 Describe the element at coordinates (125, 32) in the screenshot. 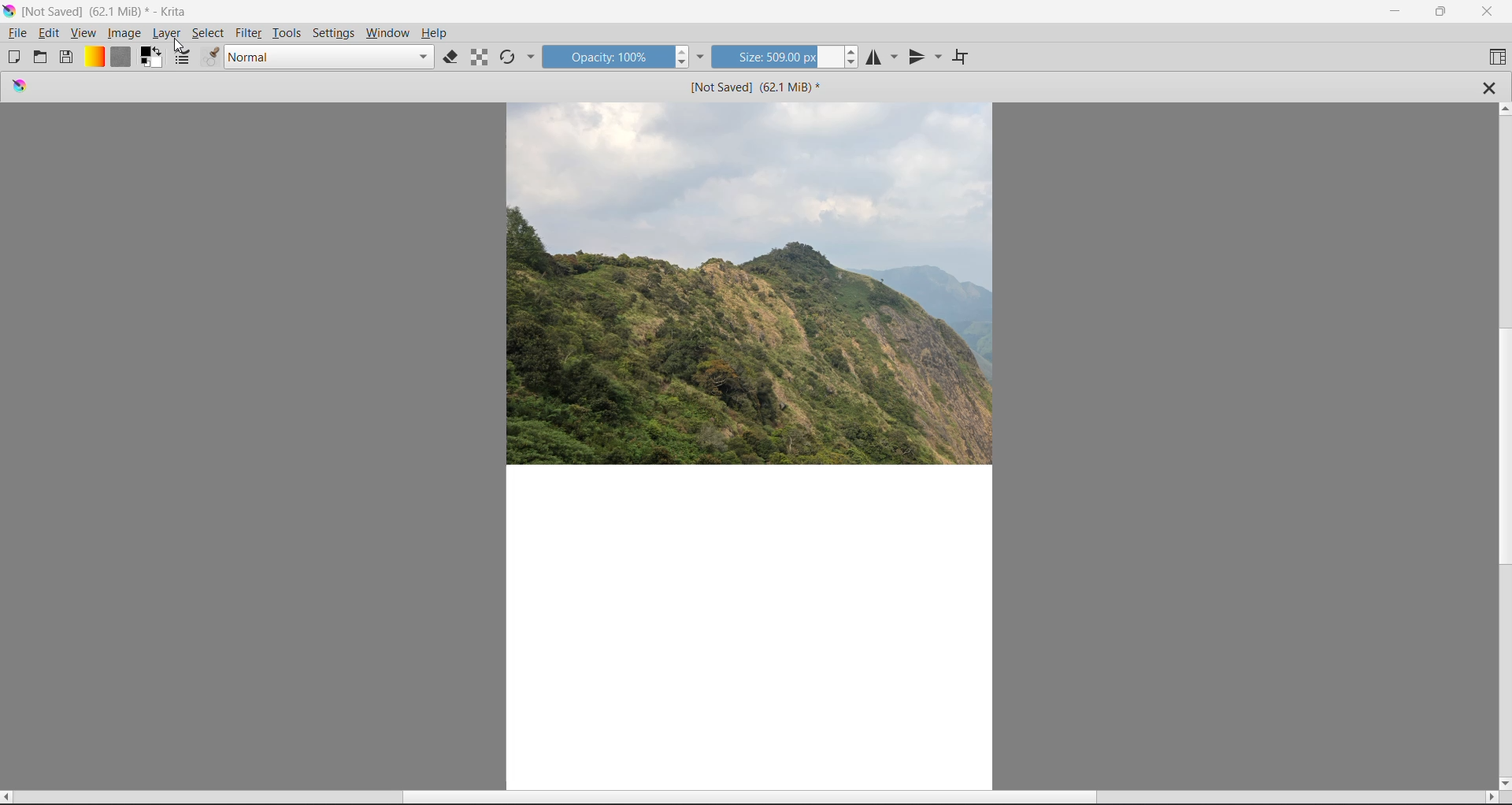

I see `Image` at that location.